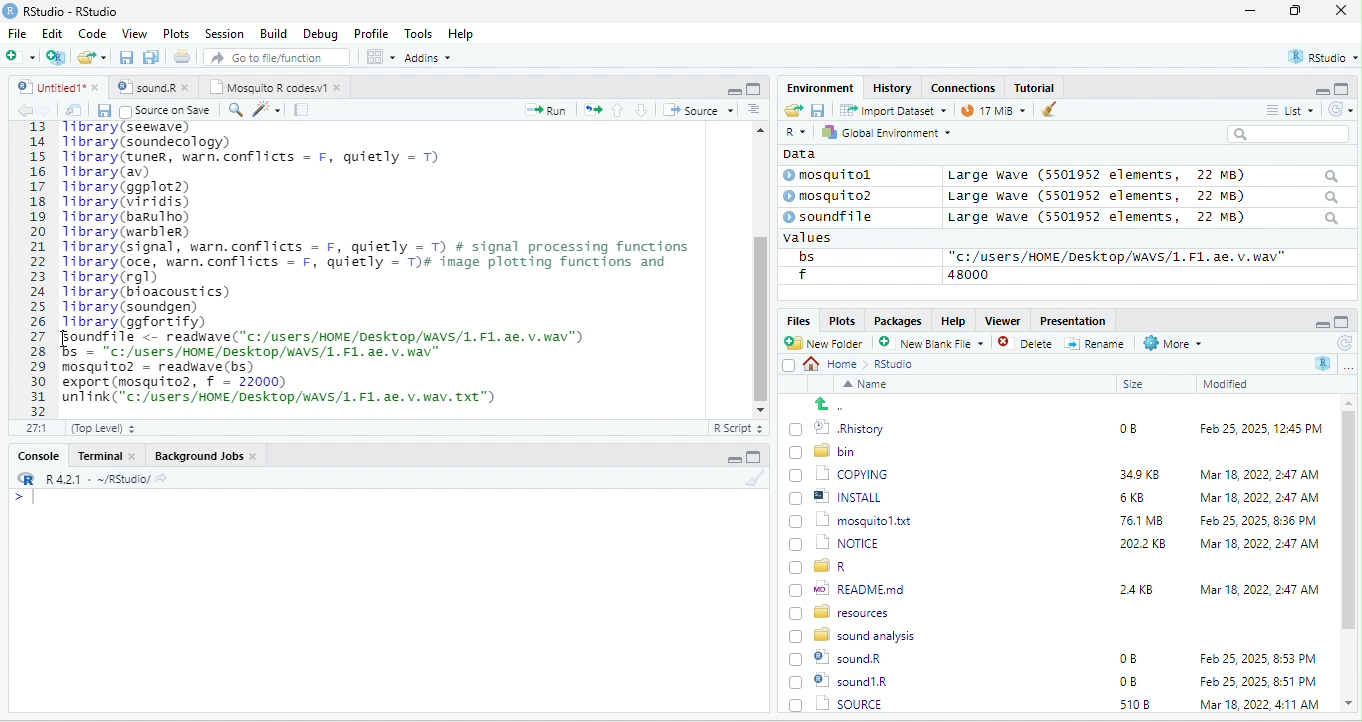 This screenshot has height=722, width=1362. What do you see at coordinates (1337, 109) in the screenshot?
I see `refresh` at bounding box center [1337, 109].